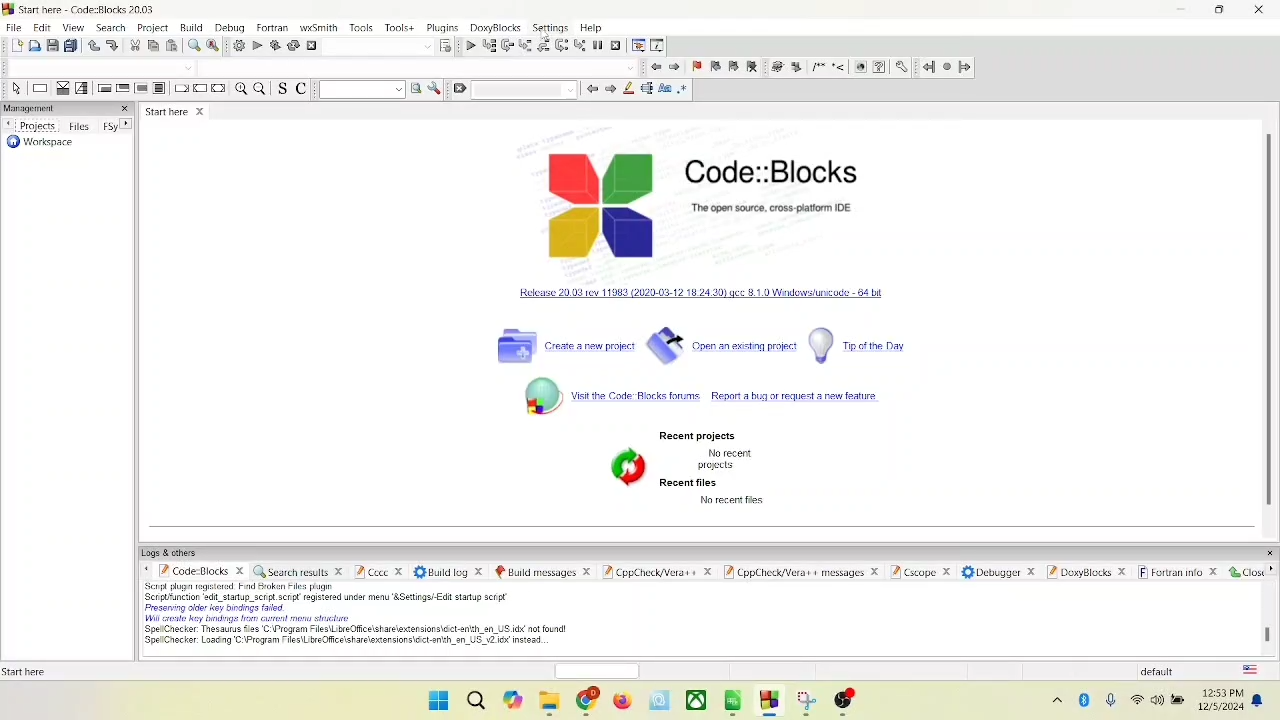  I want to click on doxyblocks, so click(496, 28).